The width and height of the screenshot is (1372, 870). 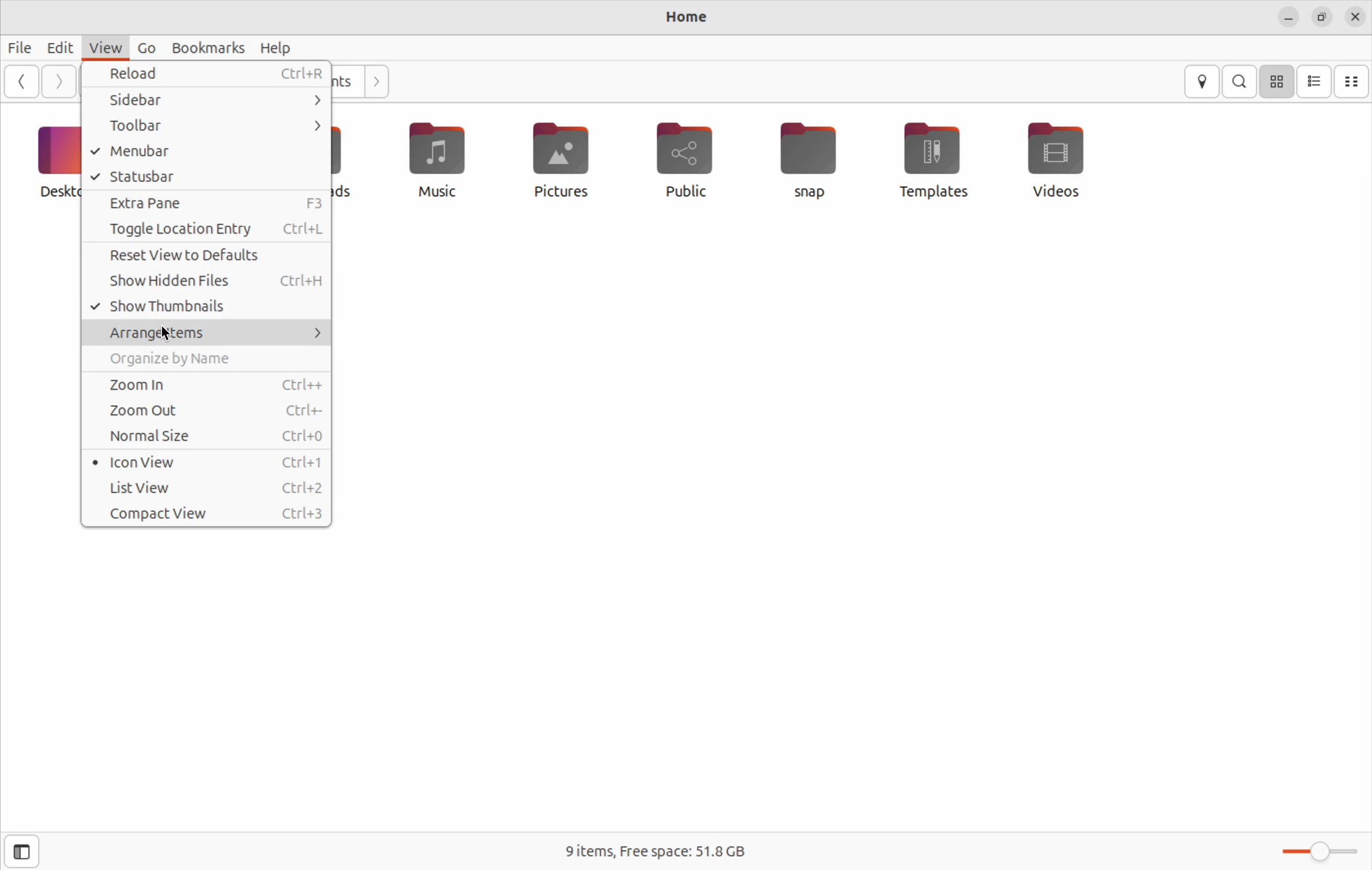 I want to click on Edit, so click(x=58, y=48).